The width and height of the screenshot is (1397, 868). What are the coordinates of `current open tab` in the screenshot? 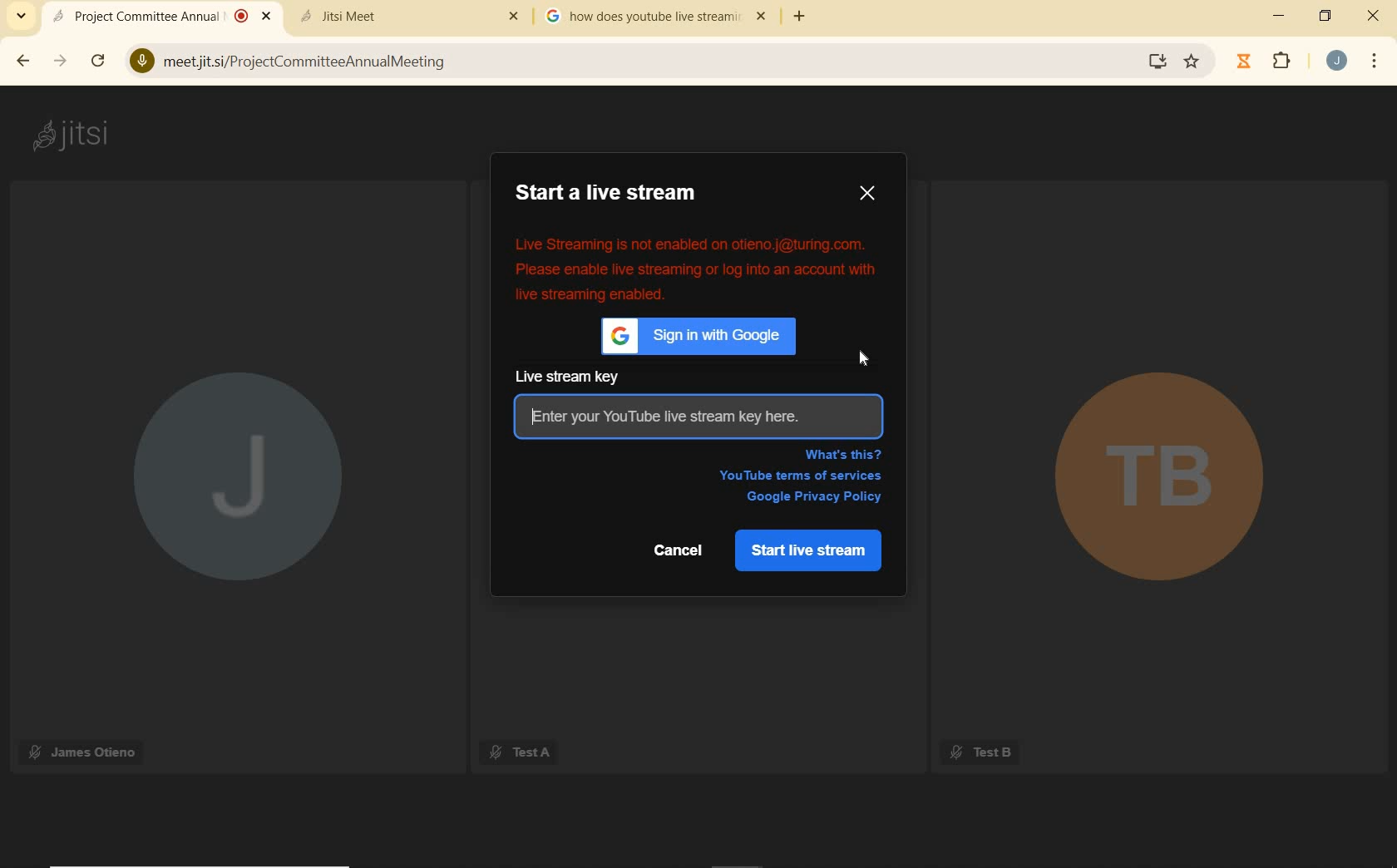 It's located at (146, 16).